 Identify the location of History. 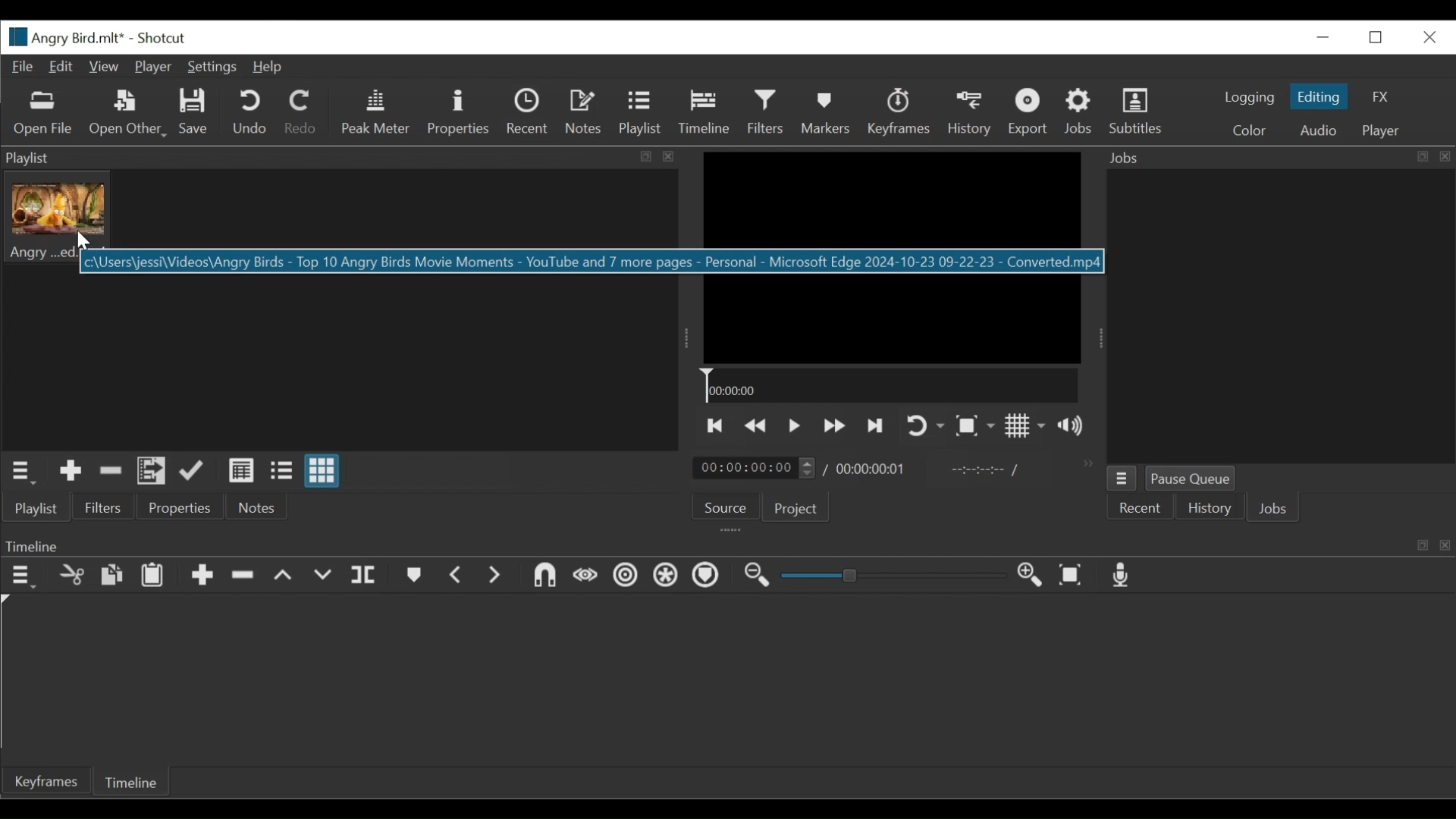
(971, 115).